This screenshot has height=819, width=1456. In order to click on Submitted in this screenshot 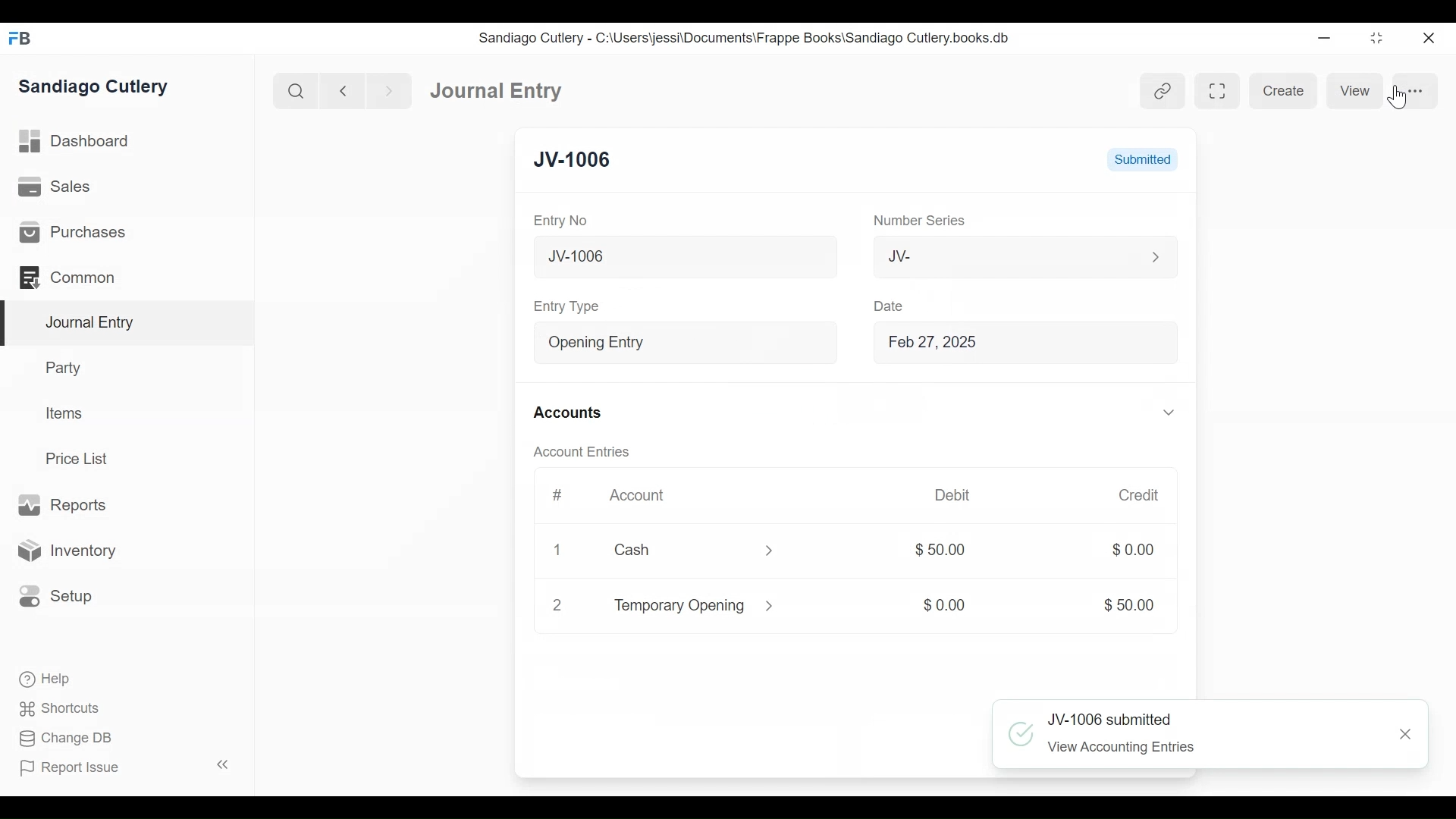, I will do `click(1144, 160)`.